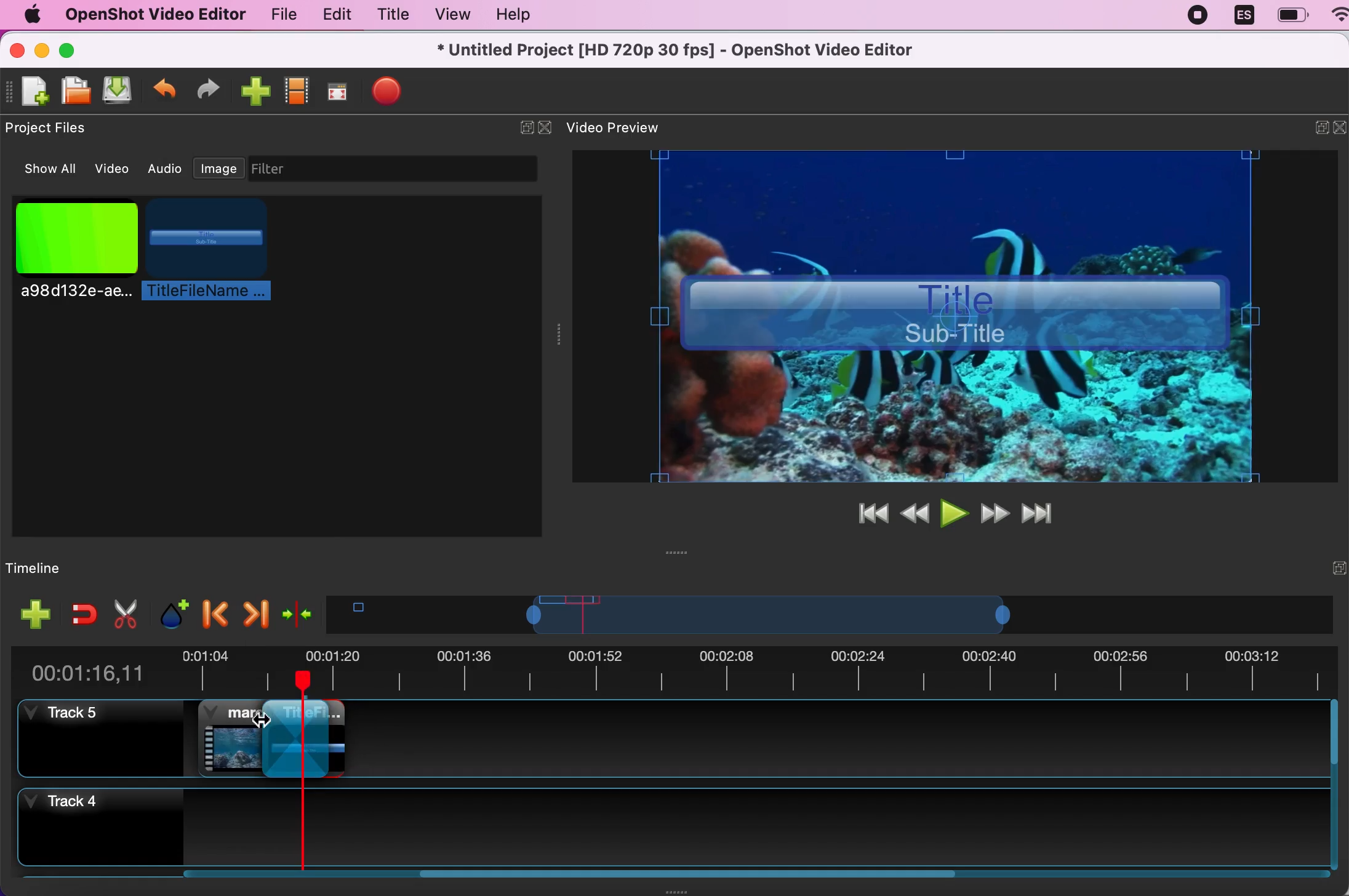  I want to click on save file, so click(121, 92).